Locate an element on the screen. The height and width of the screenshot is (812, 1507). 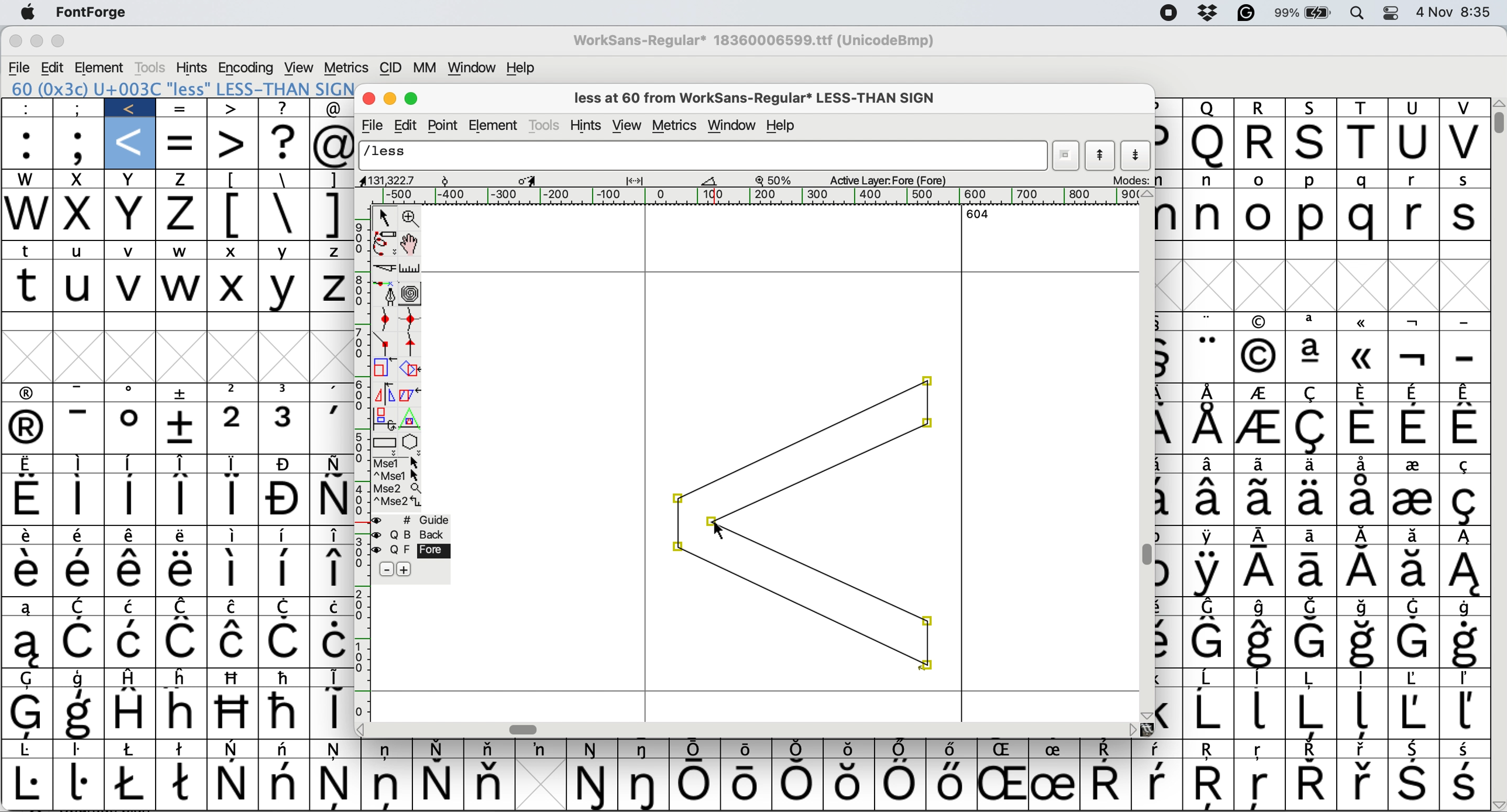
Symbol is located at coordinates (747, 749).